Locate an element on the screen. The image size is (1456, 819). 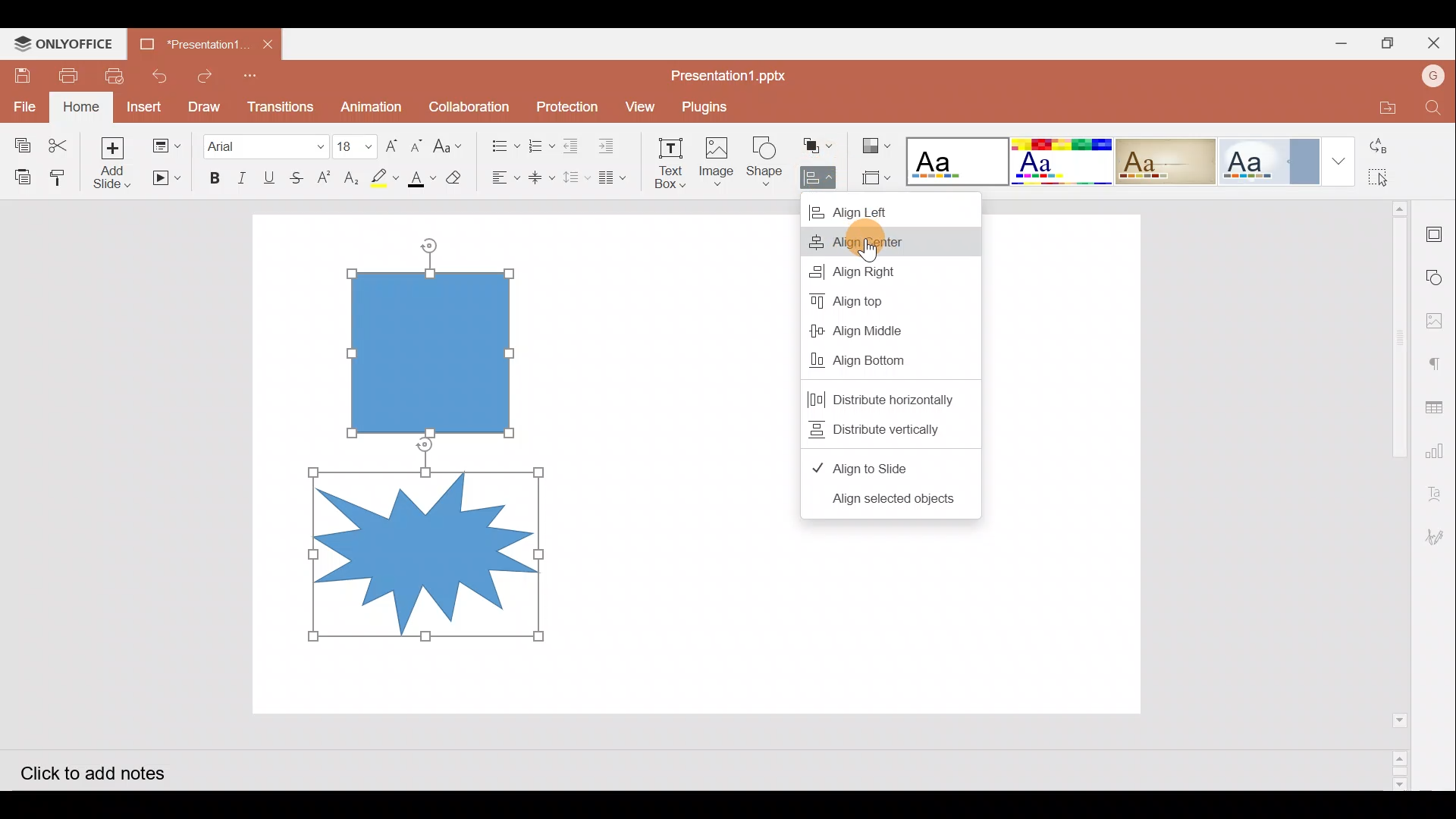
Table settings is located at coordinates (1439, 406).